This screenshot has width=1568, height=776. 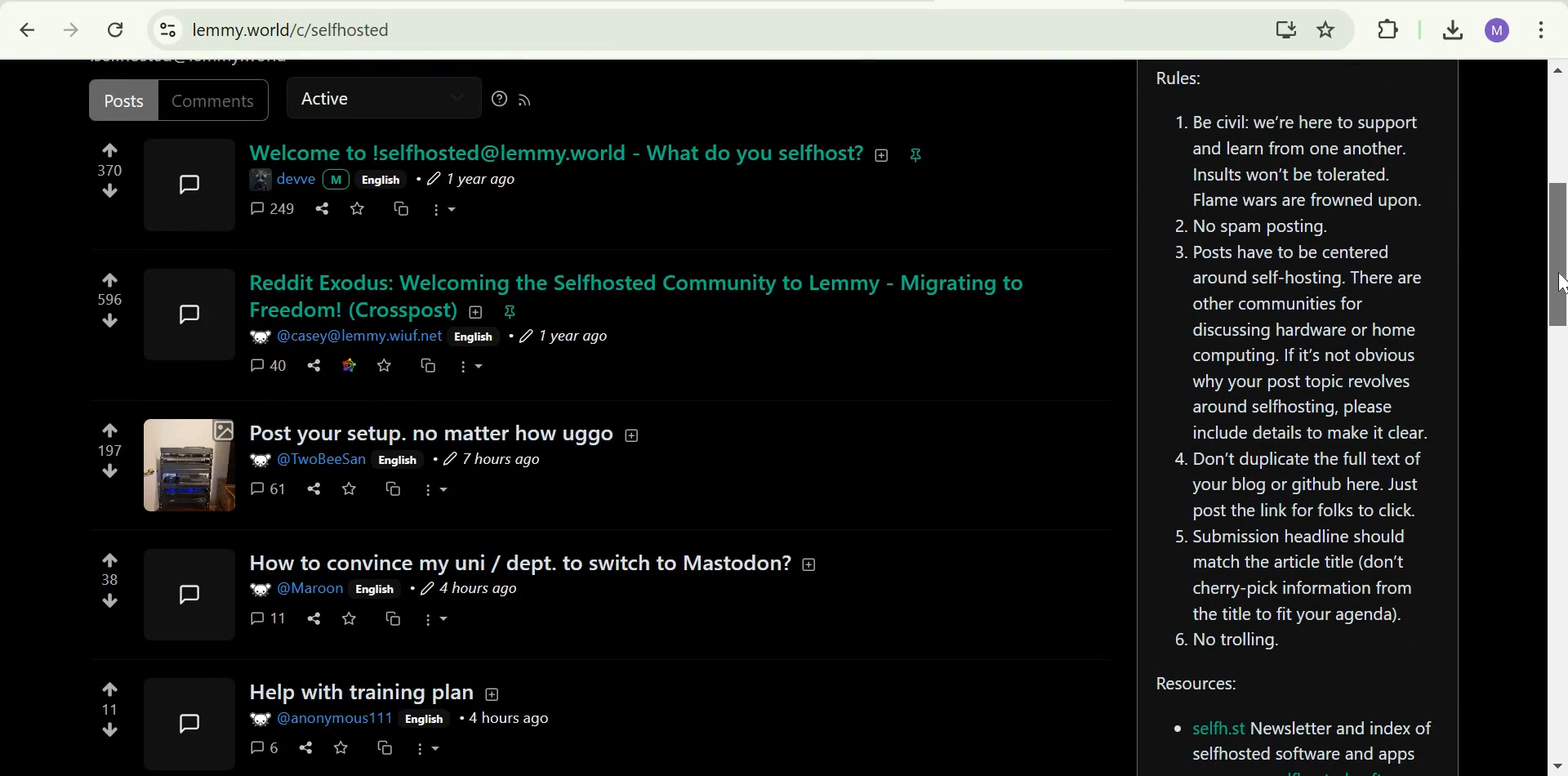 I want to click on downvote, so click(x=113, y=471).